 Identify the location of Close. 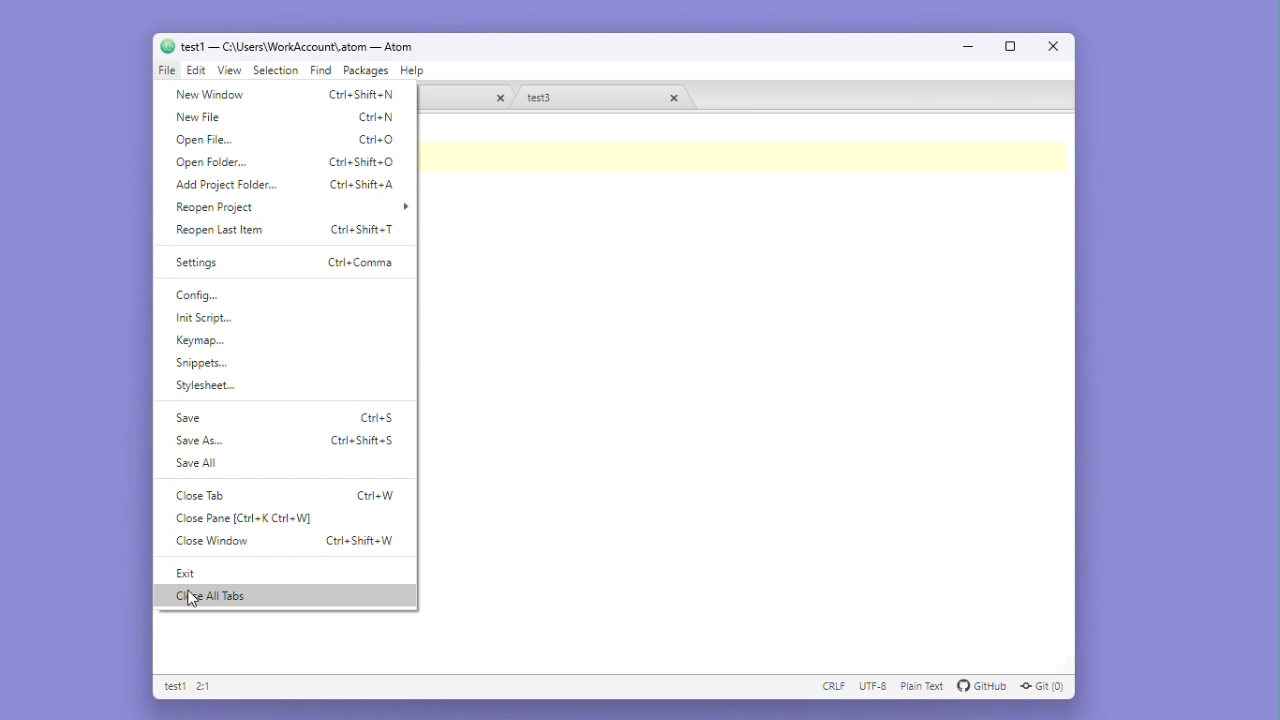
(1050, 49).